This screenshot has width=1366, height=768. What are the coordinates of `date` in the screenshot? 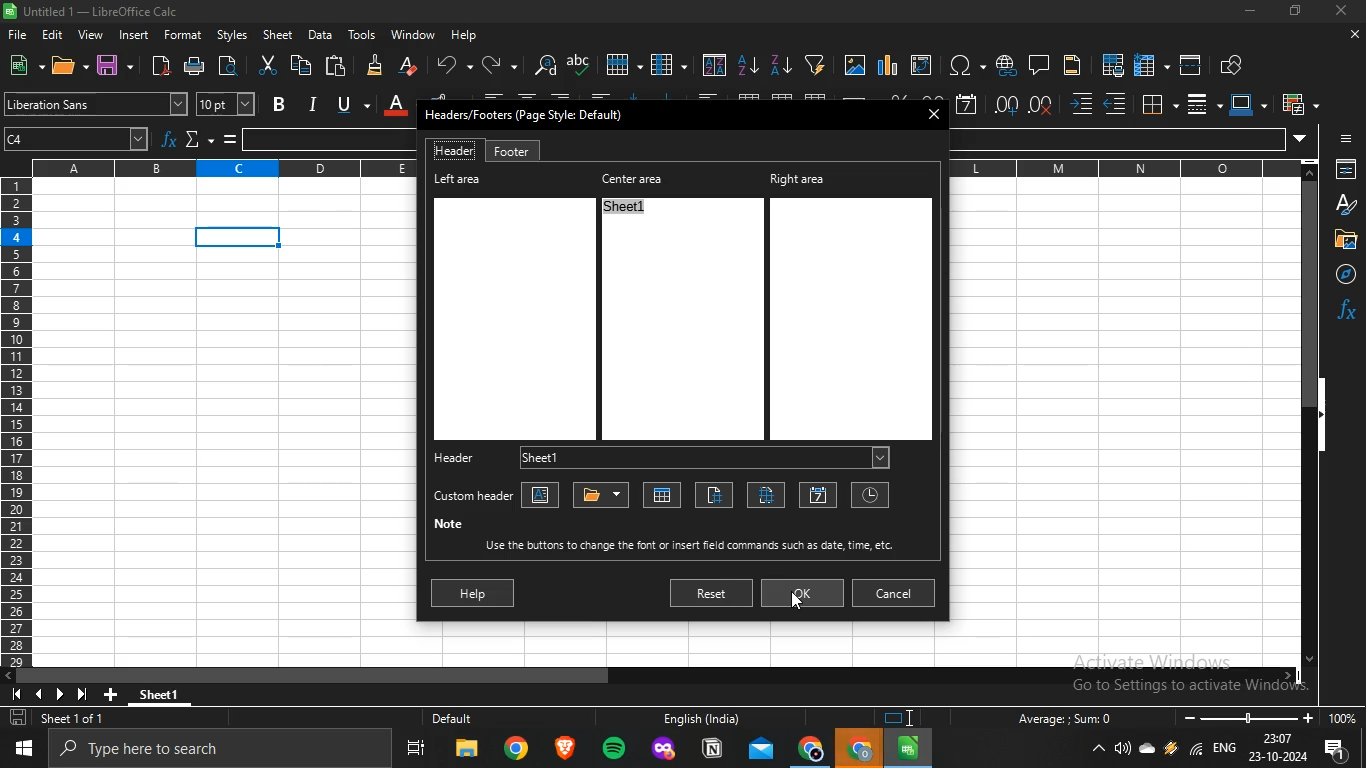 It's located at (819, 496).